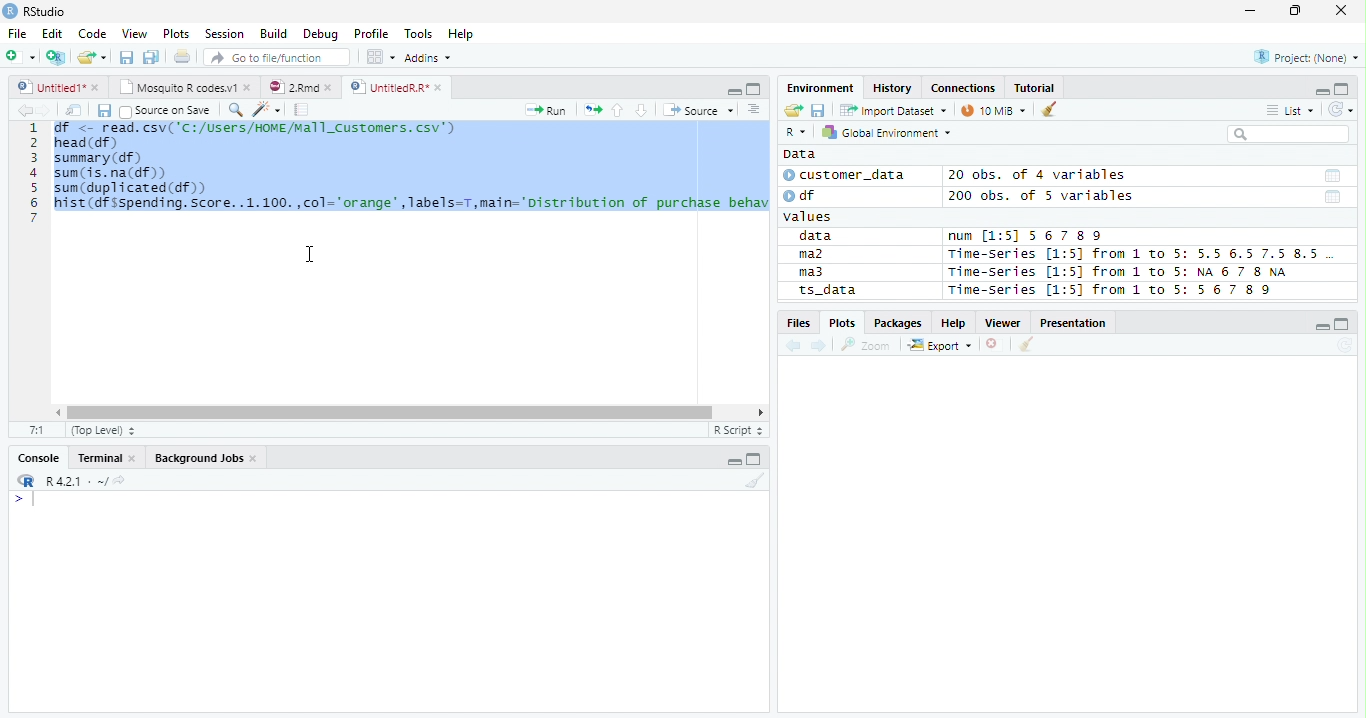 The height and width of the screenshot is (718, 1366). I want to click on Show in new window, so click(75, 110).